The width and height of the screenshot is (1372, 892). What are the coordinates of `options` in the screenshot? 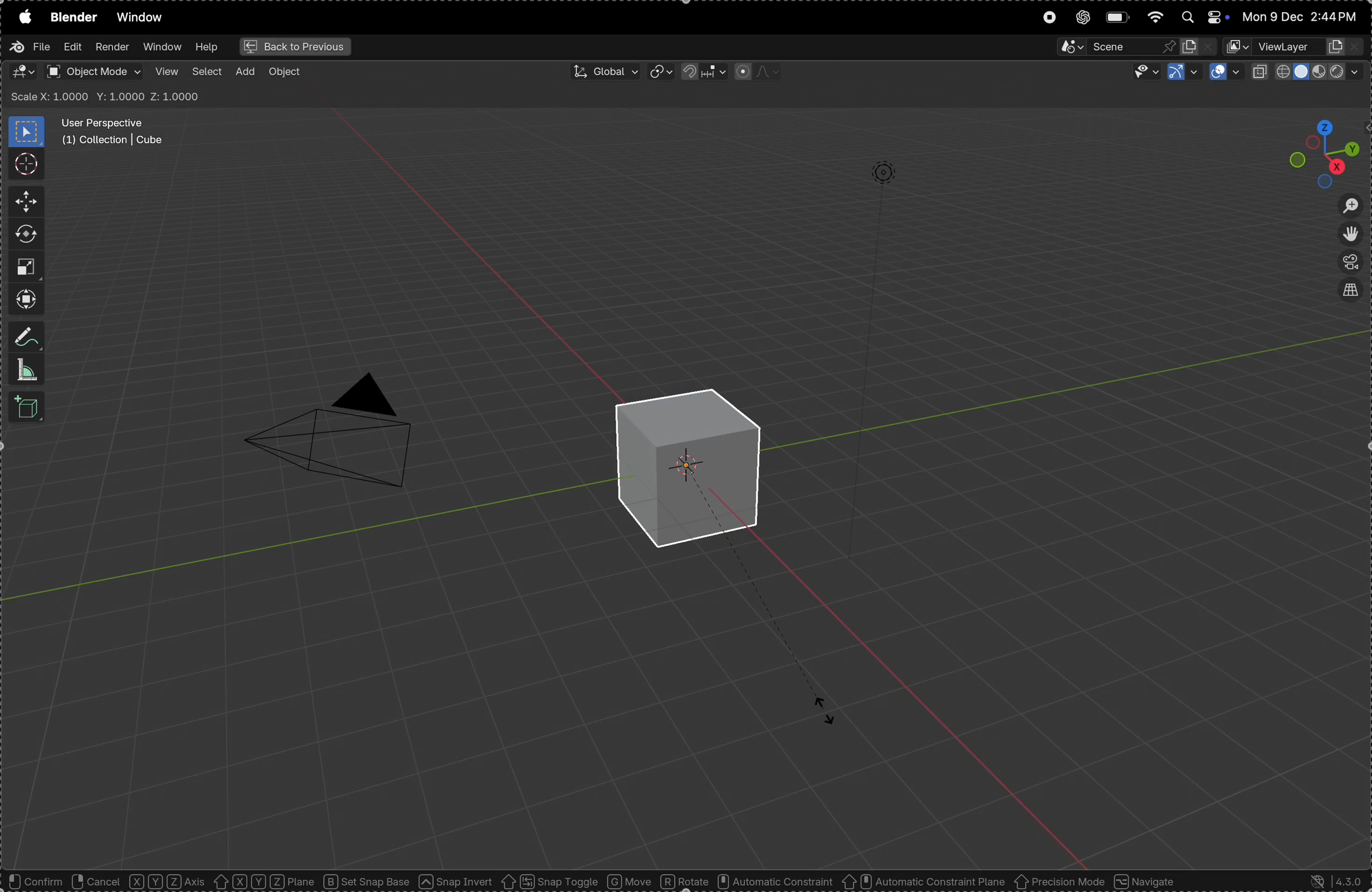 It's located at (1331, 96).